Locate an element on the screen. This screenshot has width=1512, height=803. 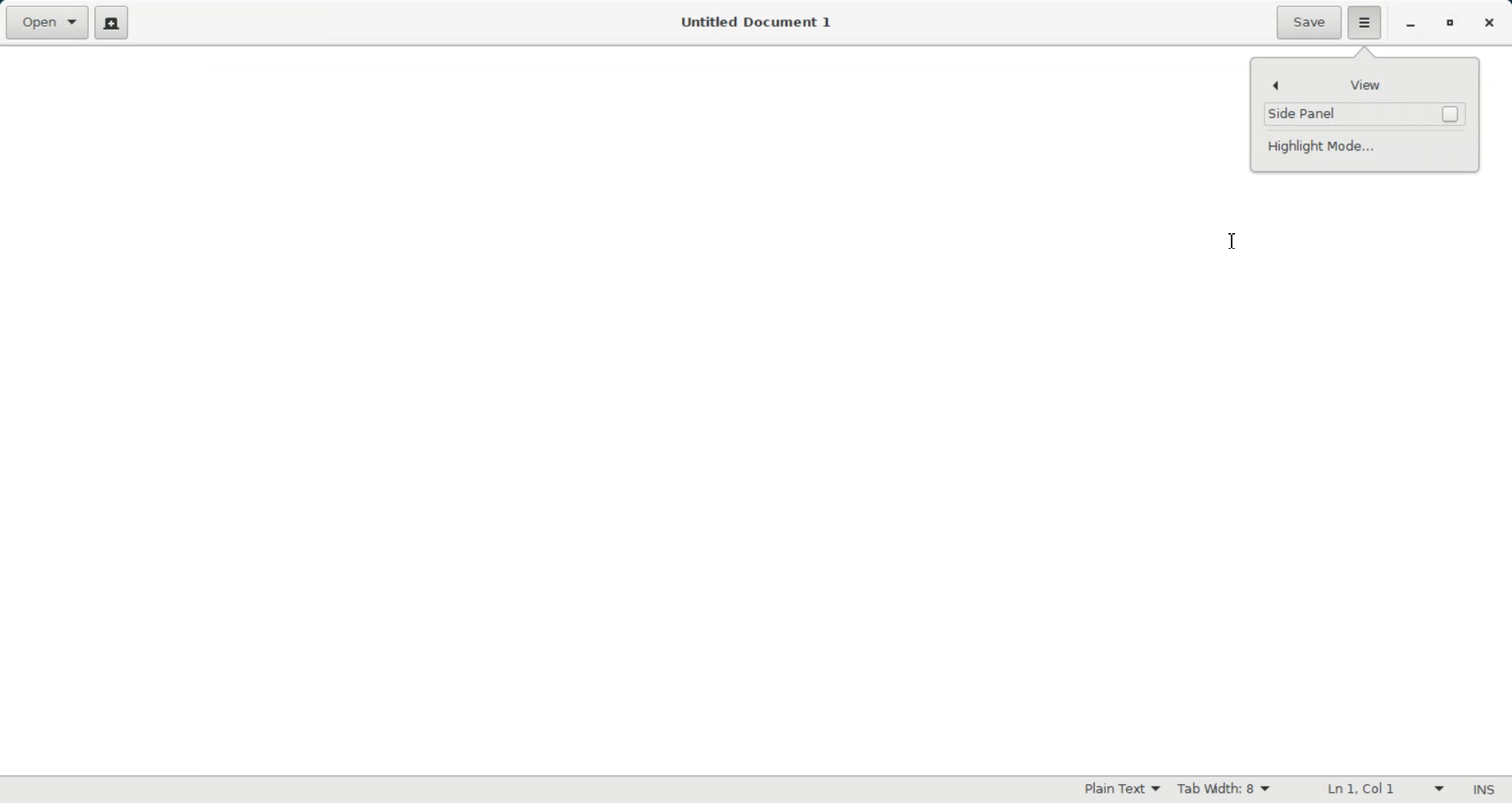
Highlight Mode is located at coordinates (1364, 146).